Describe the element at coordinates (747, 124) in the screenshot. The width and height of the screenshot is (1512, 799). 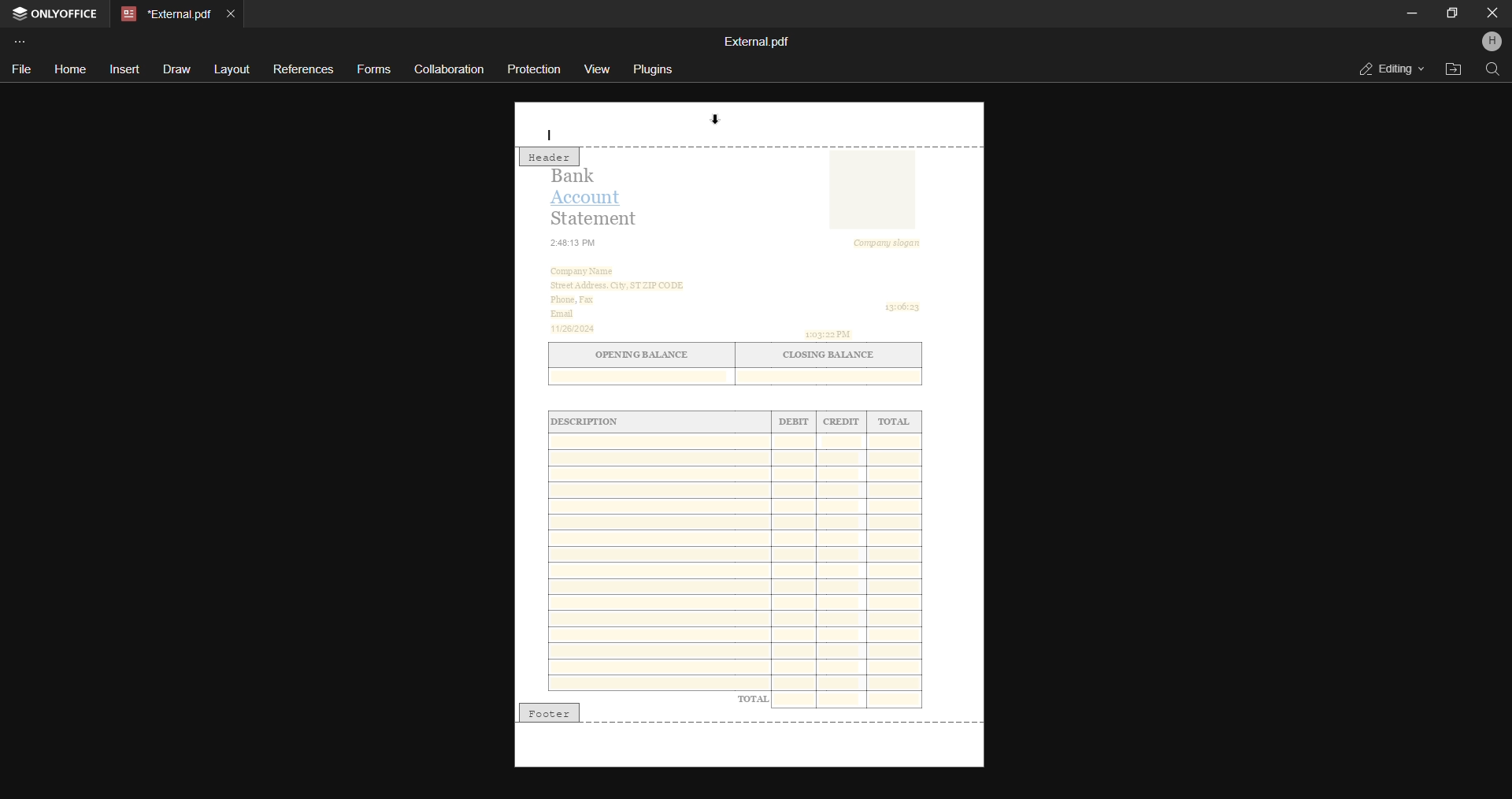
I see `header section` at that location.